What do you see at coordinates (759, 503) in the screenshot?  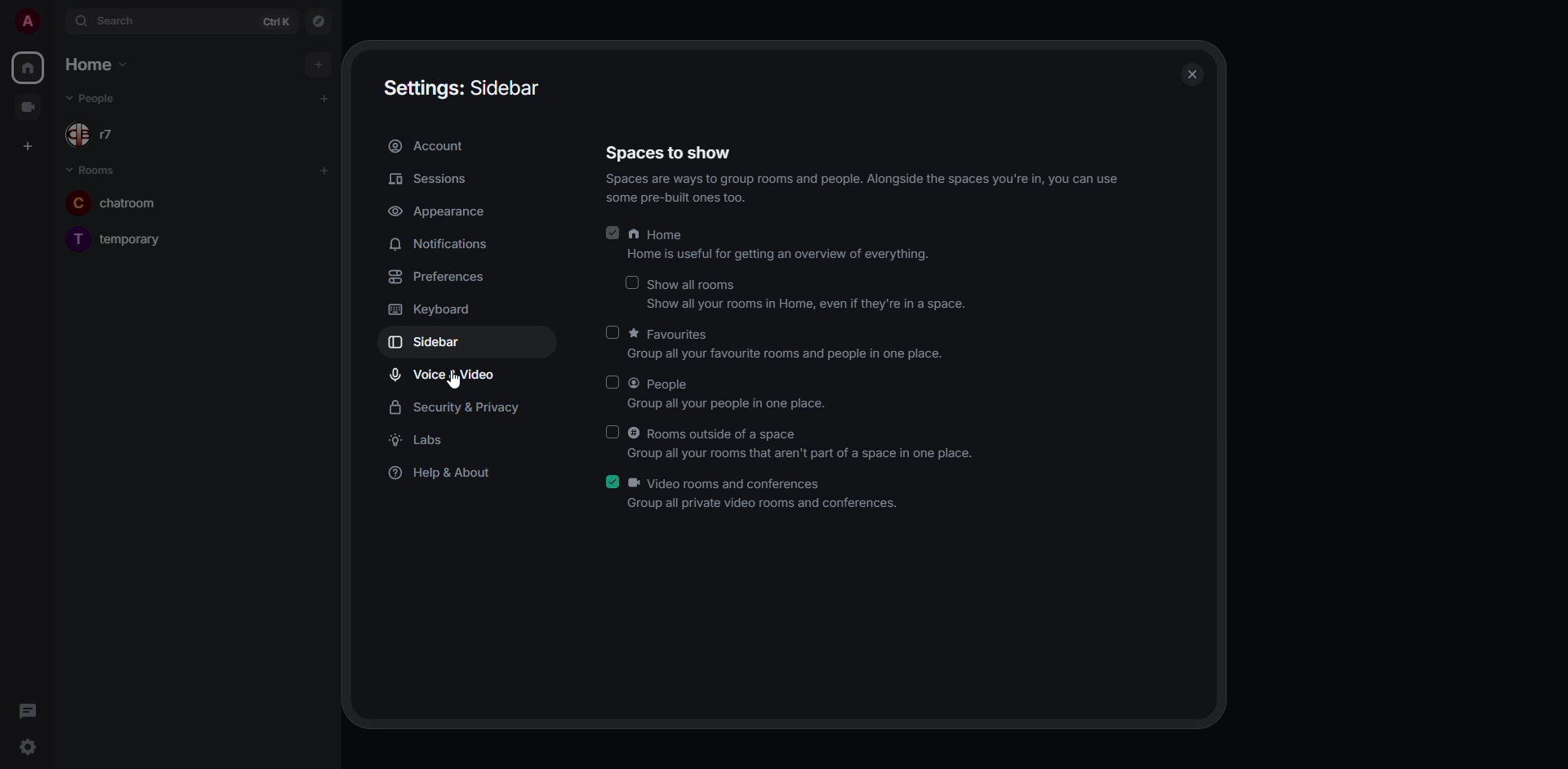 I see `Group all private video rooms and conferences.` at bounding box center [759, 503].